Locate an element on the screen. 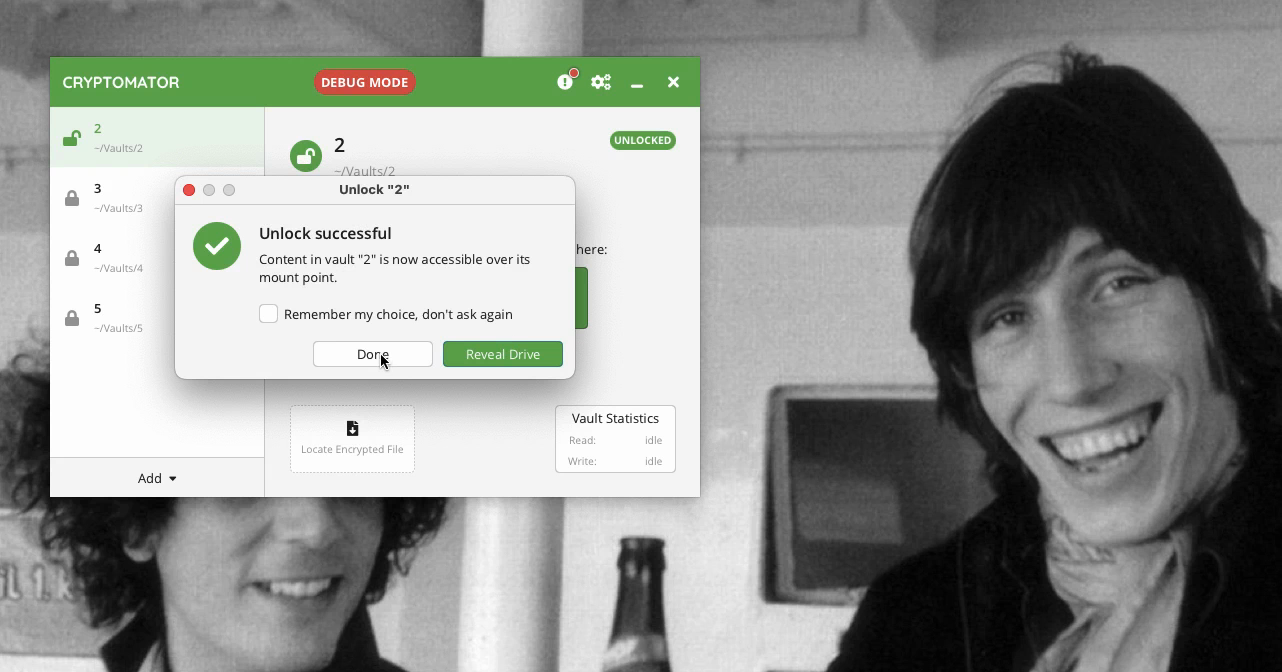 This screenshot has height=672, width=1282. maximize is located at coordinates (230, 189).